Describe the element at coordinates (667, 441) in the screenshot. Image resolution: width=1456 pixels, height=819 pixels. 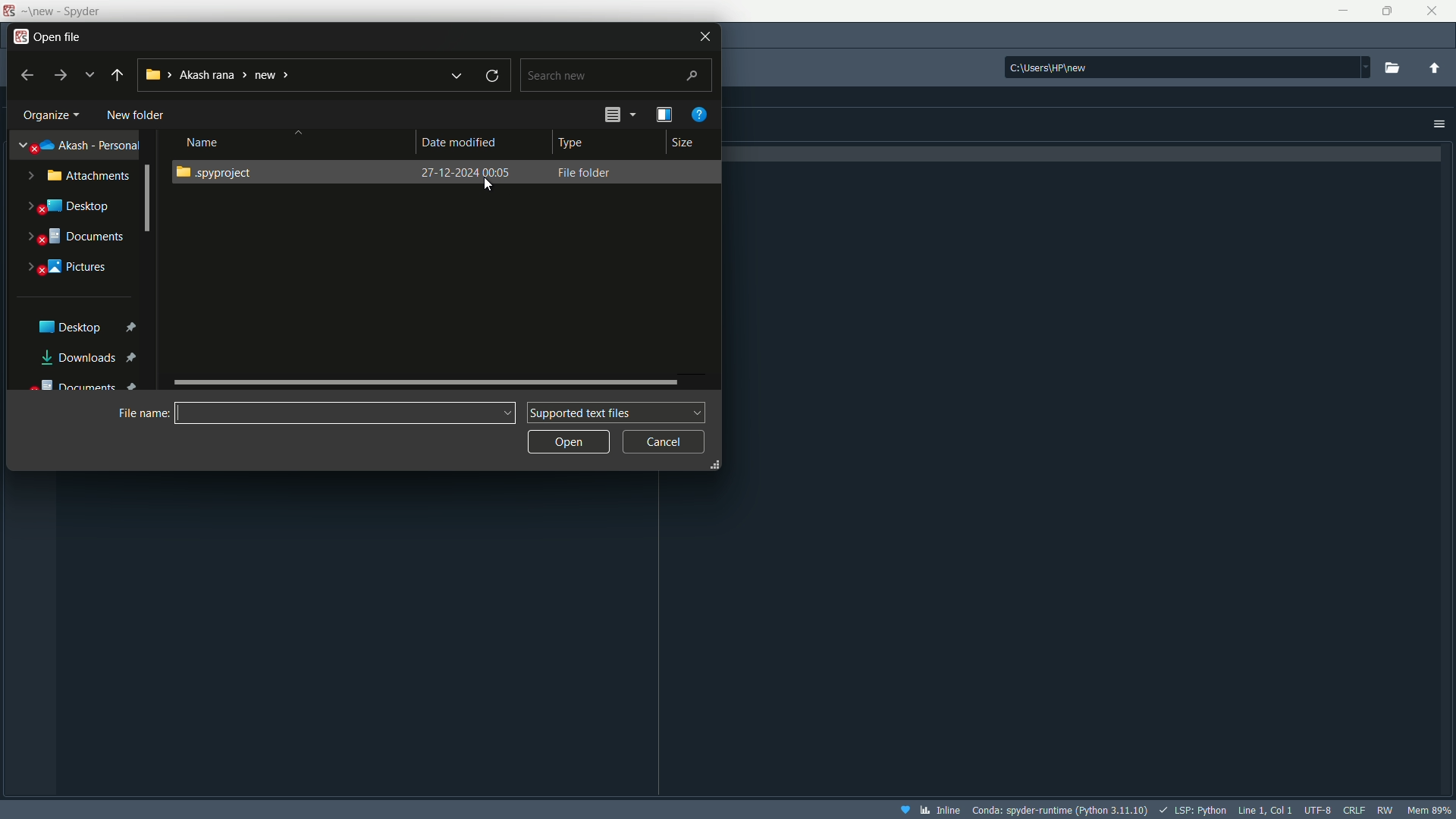
I see `cancel` at that location.